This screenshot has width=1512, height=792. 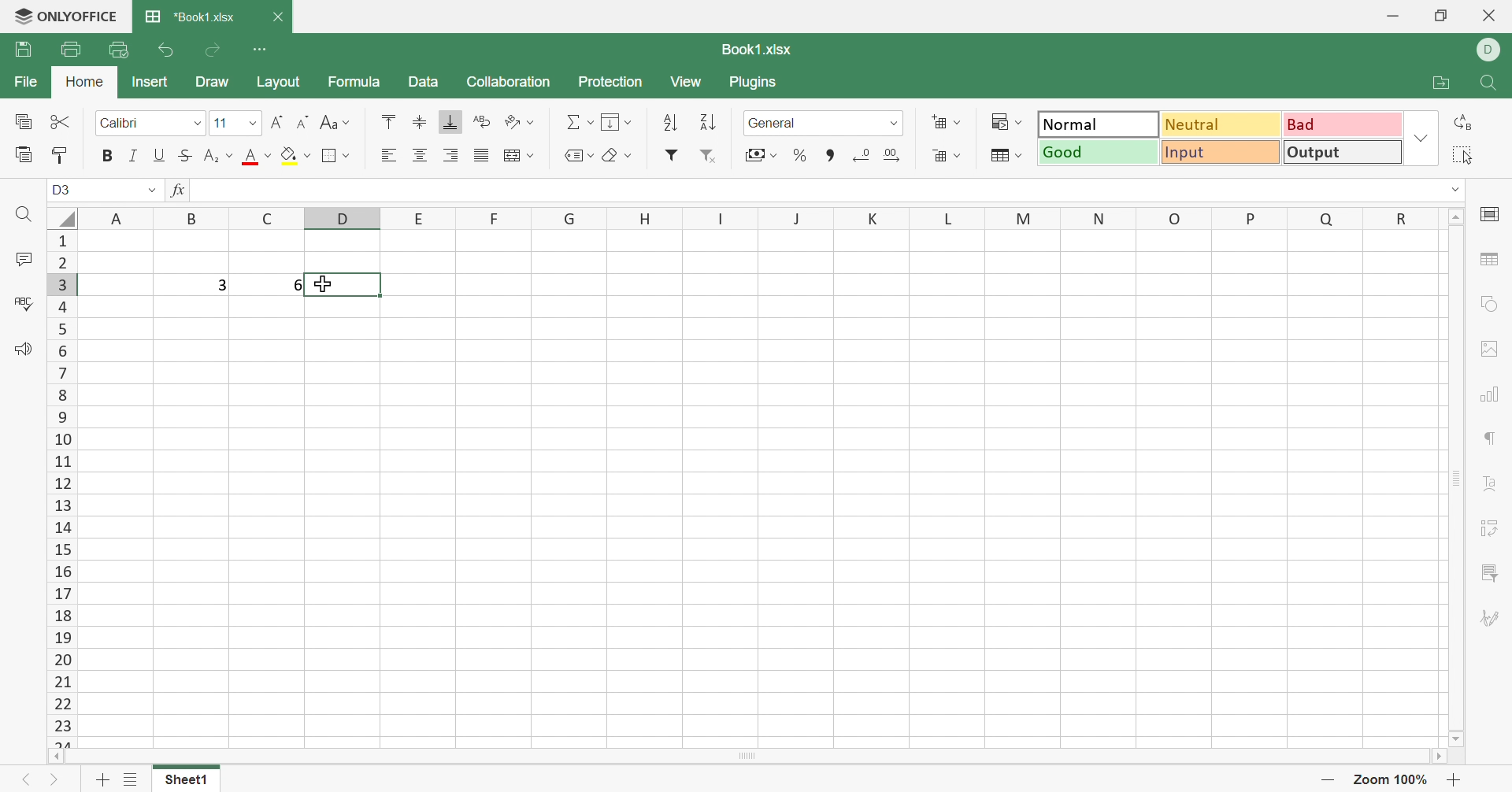 What do you see at coordinates (1327, 781) in the screenshot?
I see `Zoom out` at bounding box center [1327, 781].